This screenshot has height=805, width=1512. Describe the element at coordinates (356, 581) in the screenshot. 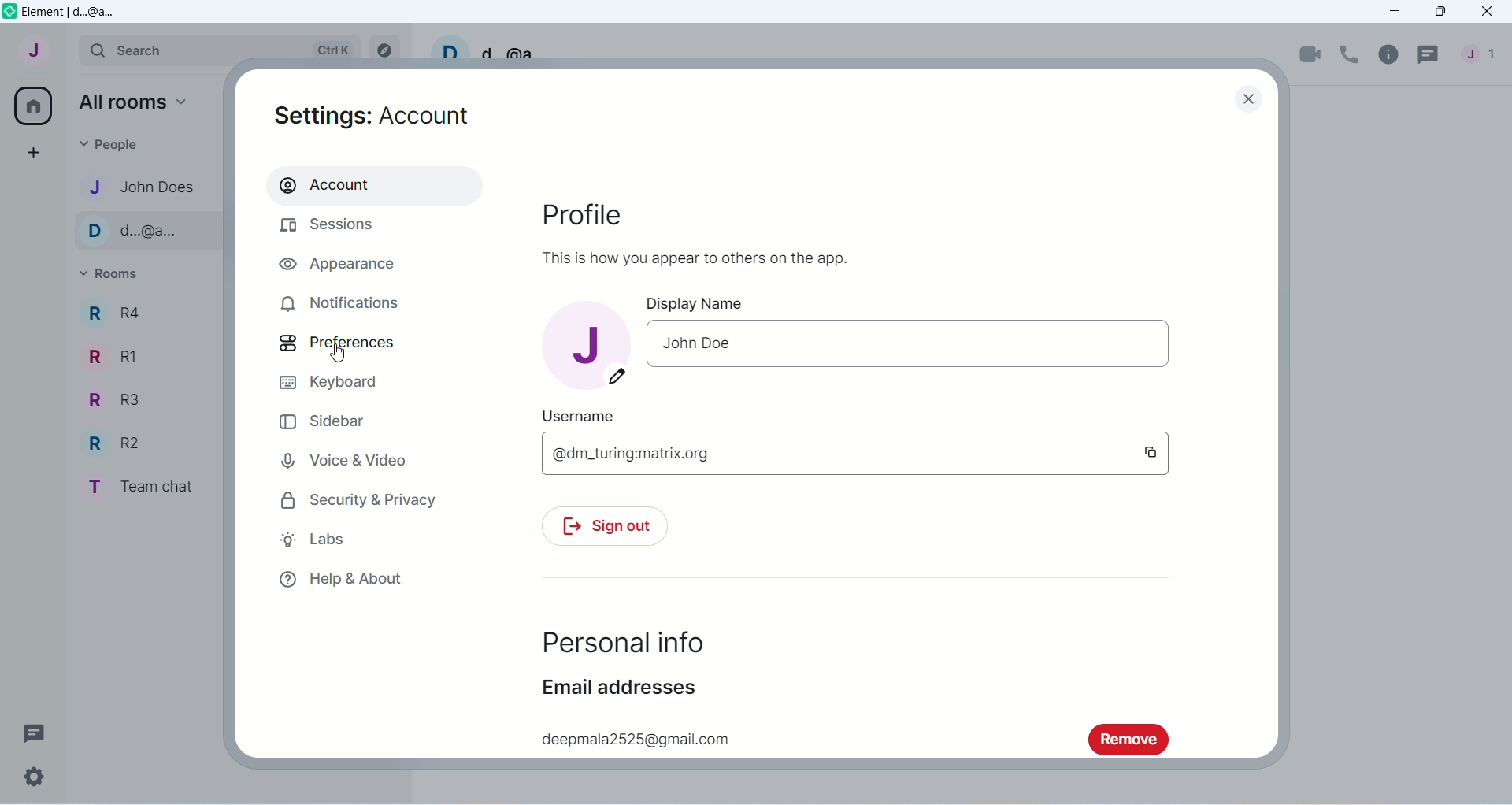

I see `Help and about` at that location.